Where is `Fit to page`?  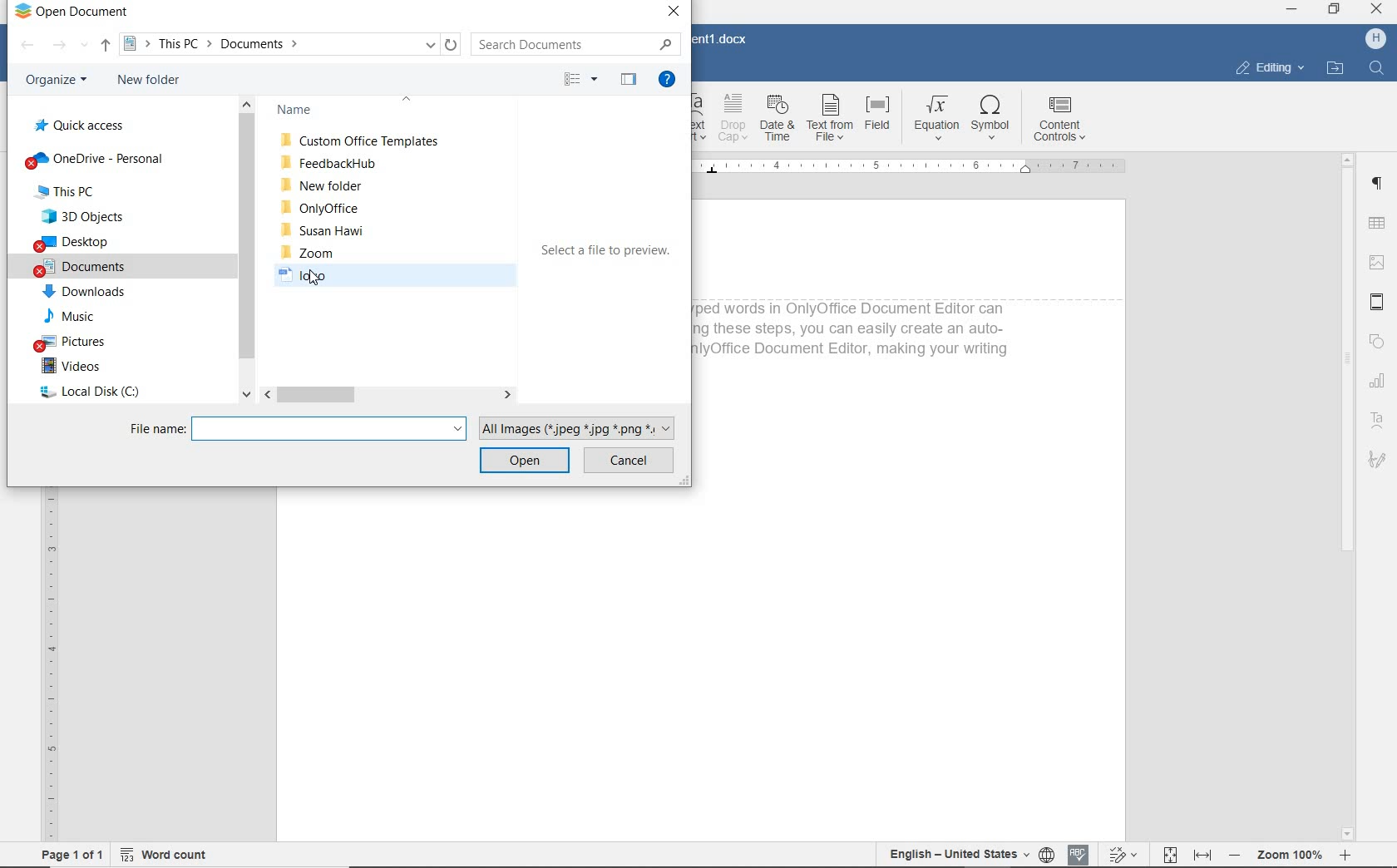 Fit to page is located at coordinates (1168, 854).